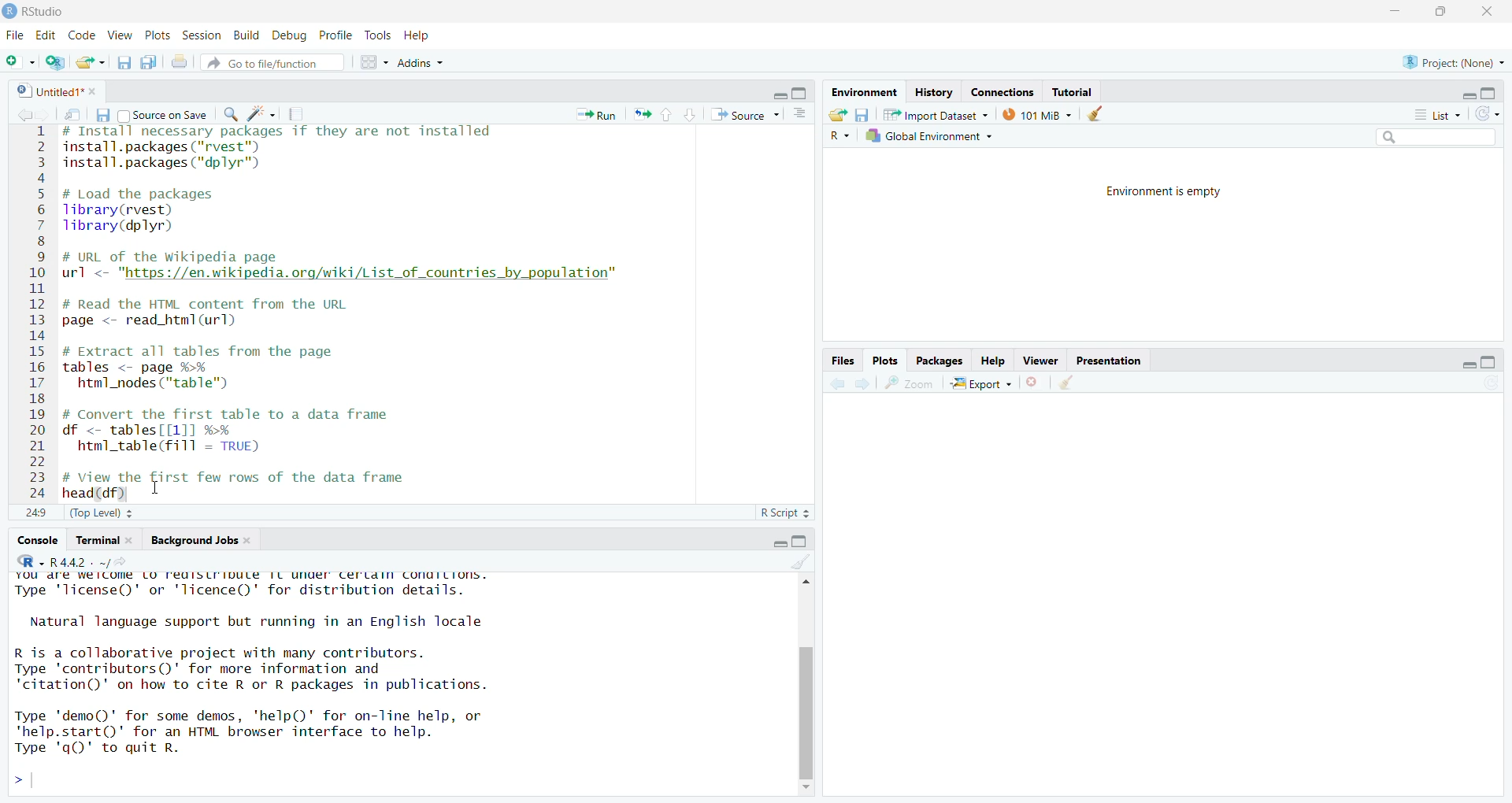 This screenshot has width=1512, height=803. What do you see at coordinates (95, 91) in the screenshot?
I see `close` at bounding box center [95, 91].